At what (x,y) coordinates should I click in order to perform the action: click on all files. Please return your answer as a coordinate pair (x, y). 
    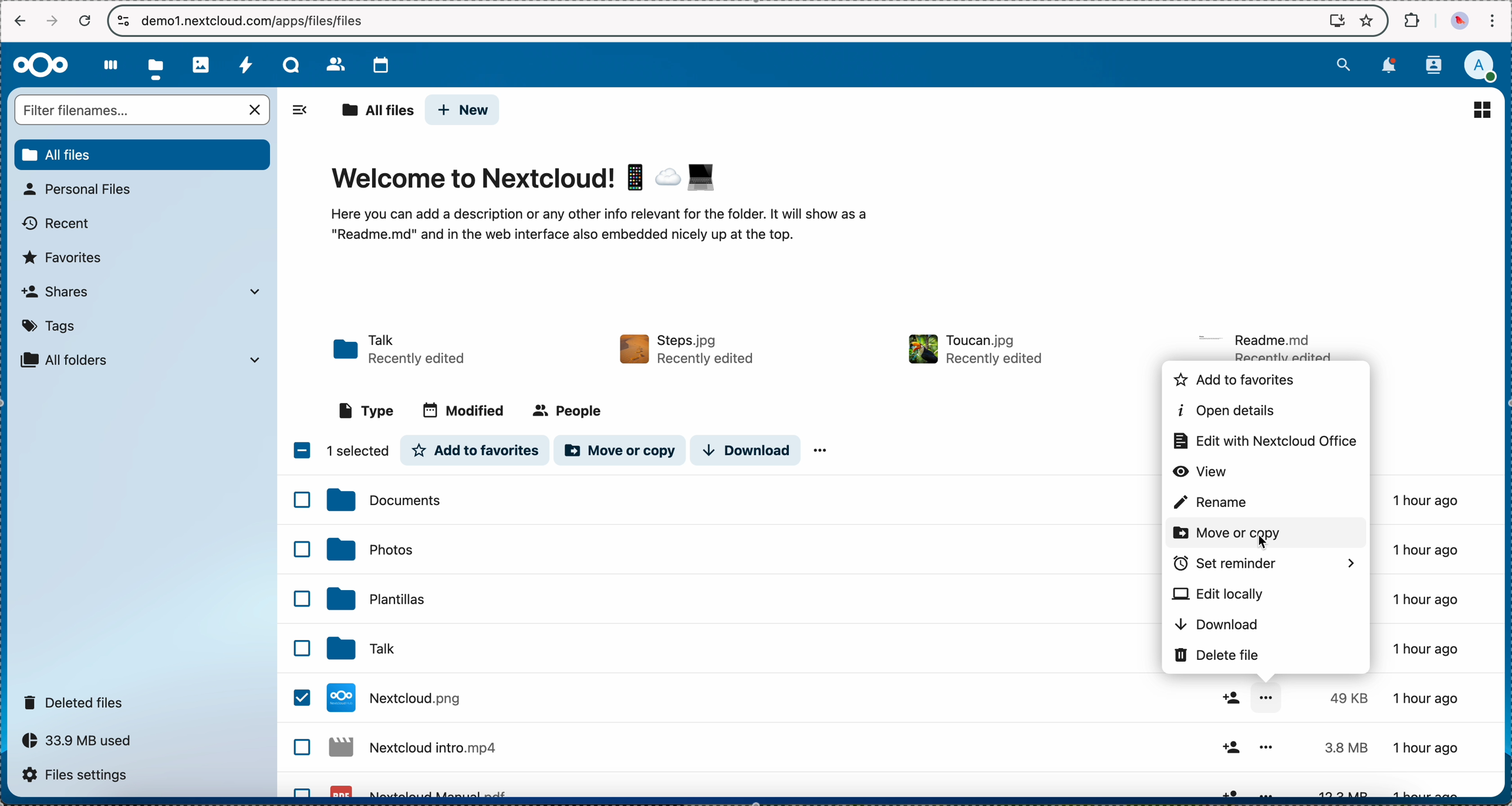
    Looking at the image, I should click on (141, 155).